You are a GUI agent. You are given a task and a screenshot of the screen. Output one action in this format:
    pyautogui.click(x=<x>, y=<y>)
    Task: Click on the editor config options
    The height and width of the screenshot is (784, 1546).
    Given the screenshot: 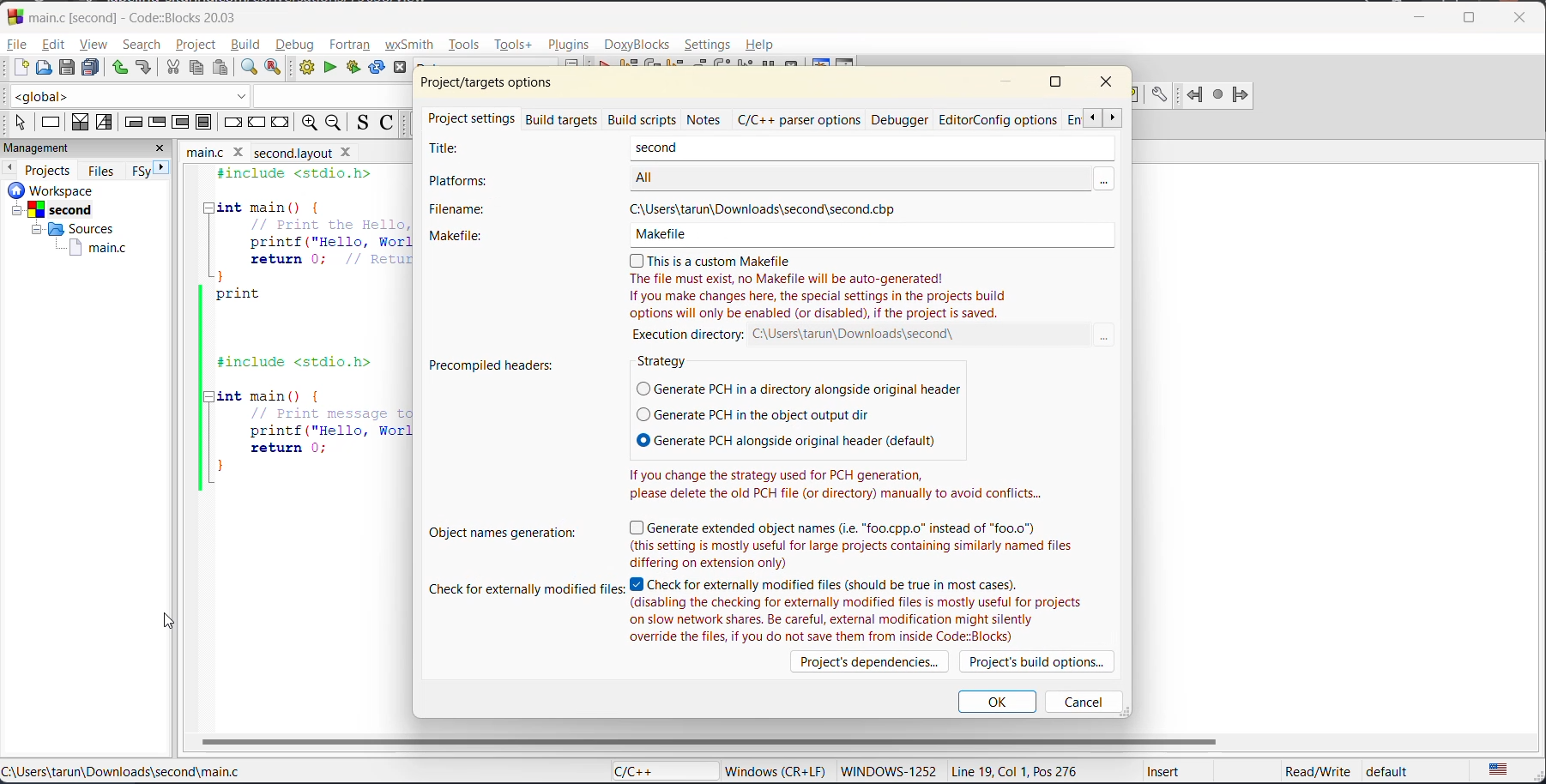 What is the action you would take?
    pyautogui.click(x=998, y=122)
    